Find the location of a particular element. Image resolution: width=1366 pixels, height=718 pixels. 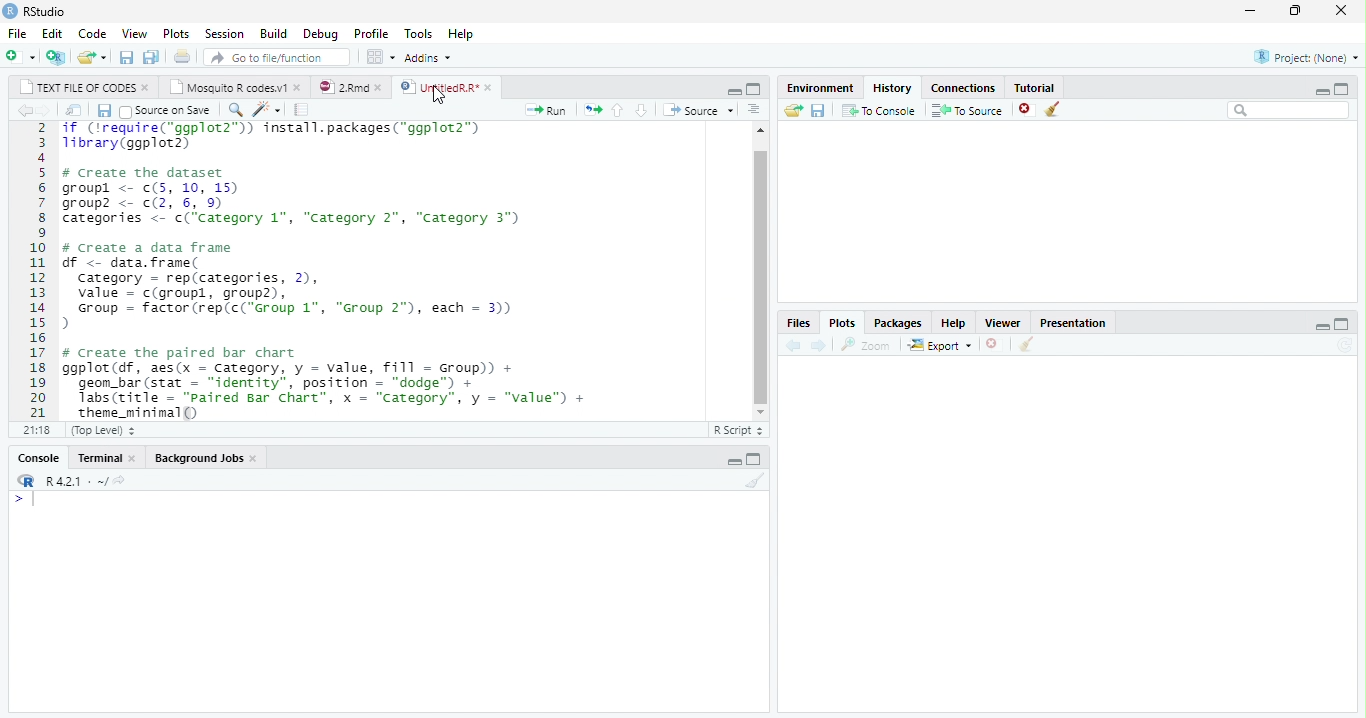

search is located at coordinates (1286, 111).